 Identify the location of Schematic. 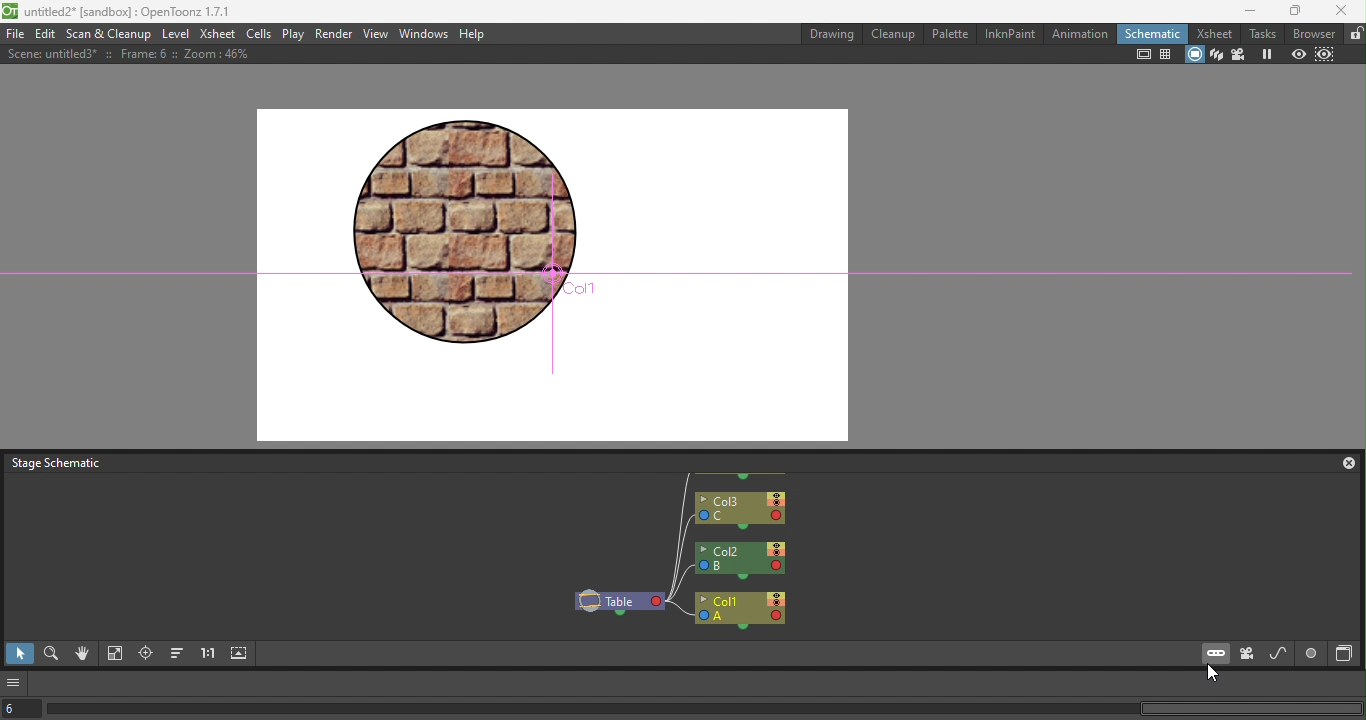
(1152, 34).